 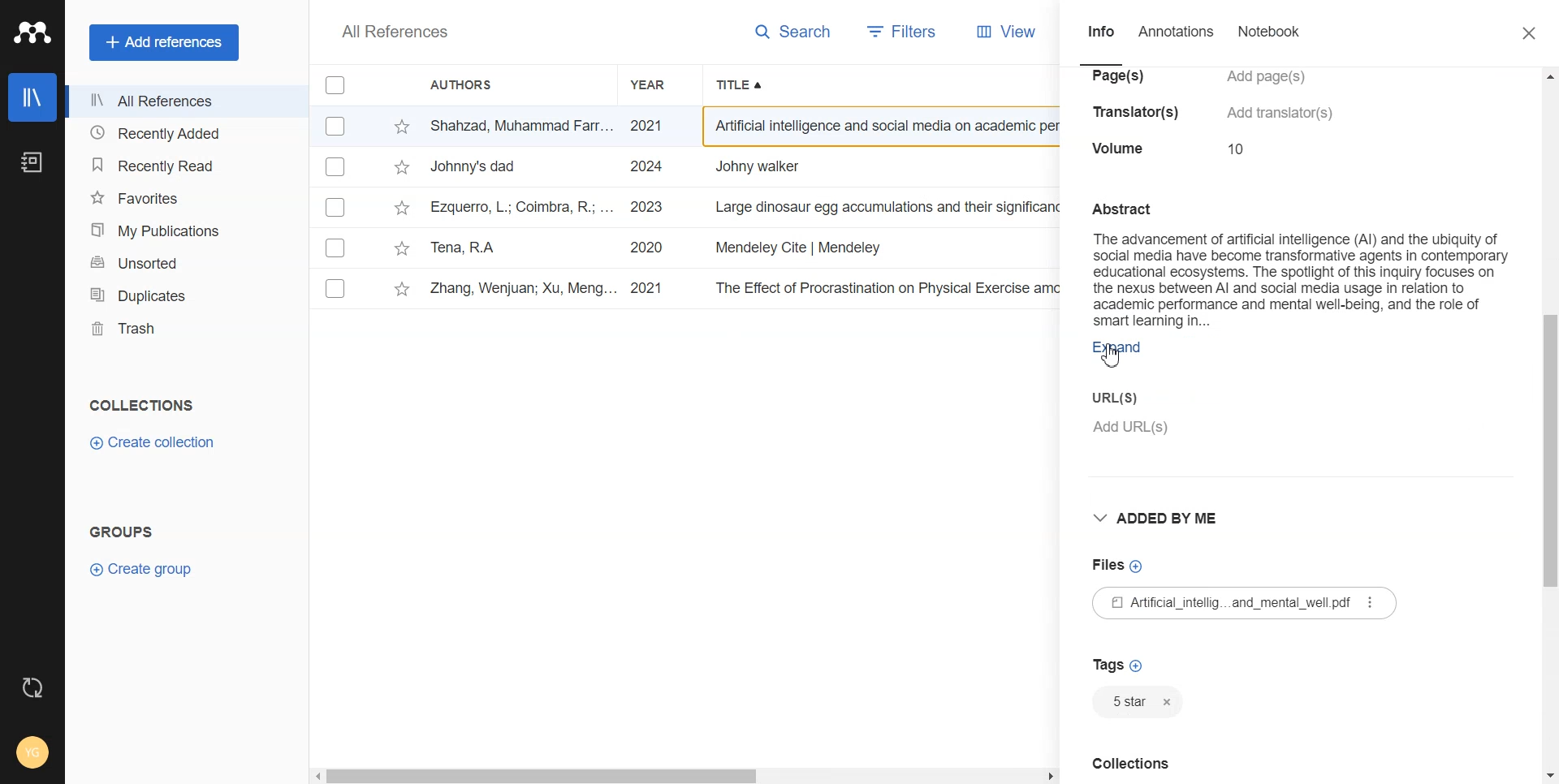 What do you see at coordinates (1135, 111) in the screenshot?
I see `translators` at bounding box center [1135, 111].